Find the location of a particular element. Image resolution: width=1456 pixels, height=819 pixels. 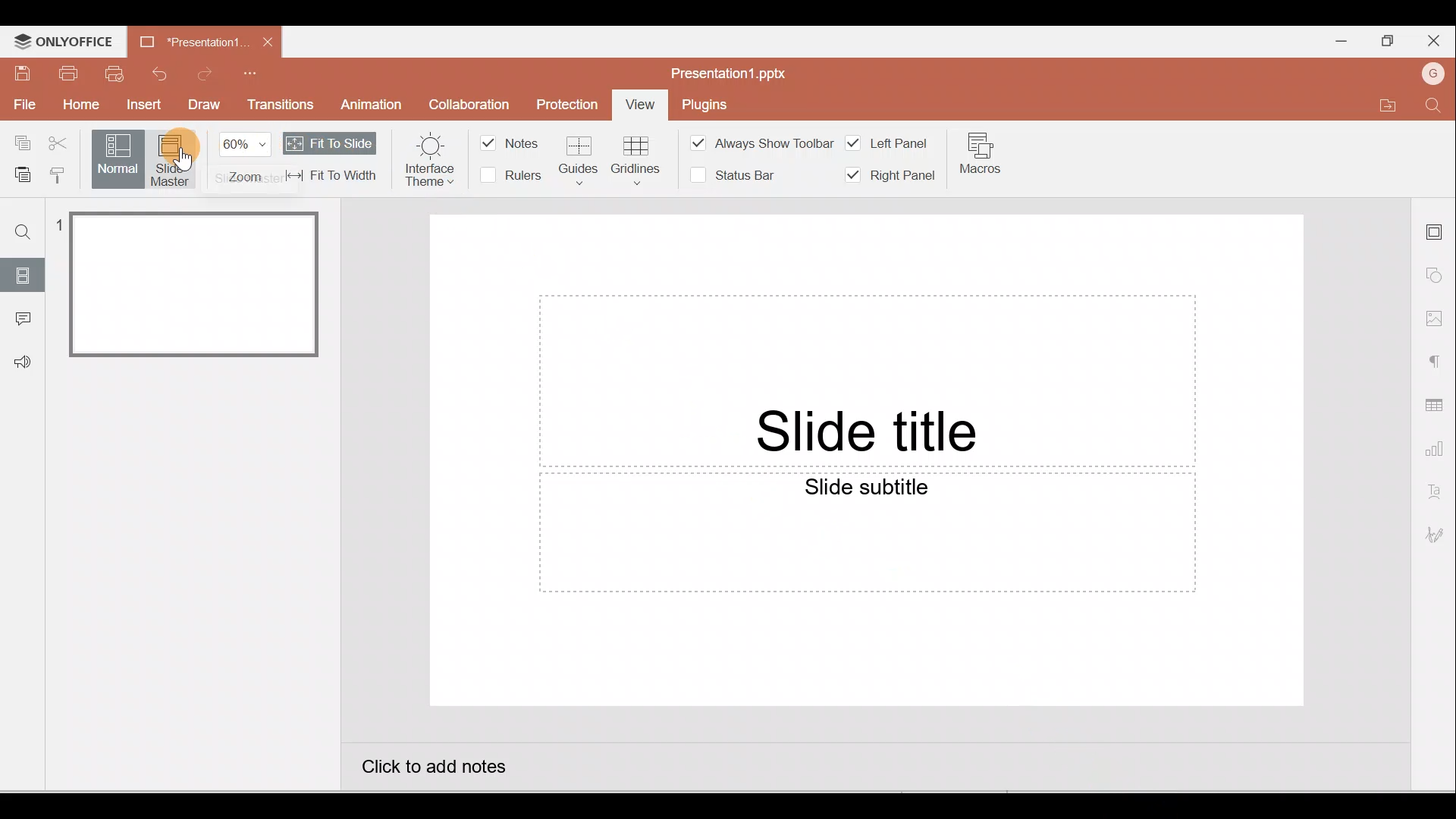

ONLYOFFICE is located at coordinates (62, 42).